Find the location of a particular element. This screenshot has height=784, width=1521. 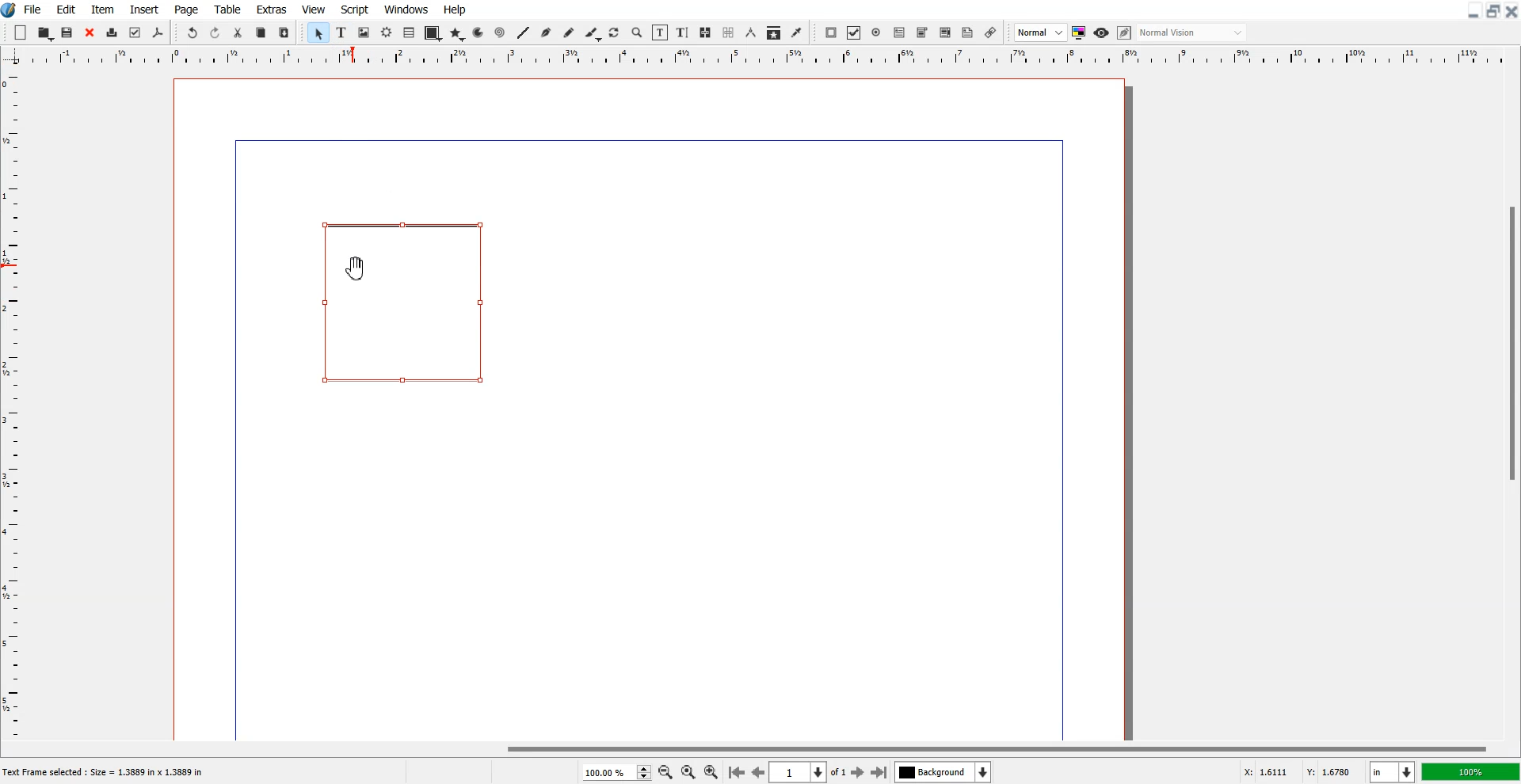

Table is located at coordinates (410, 32).